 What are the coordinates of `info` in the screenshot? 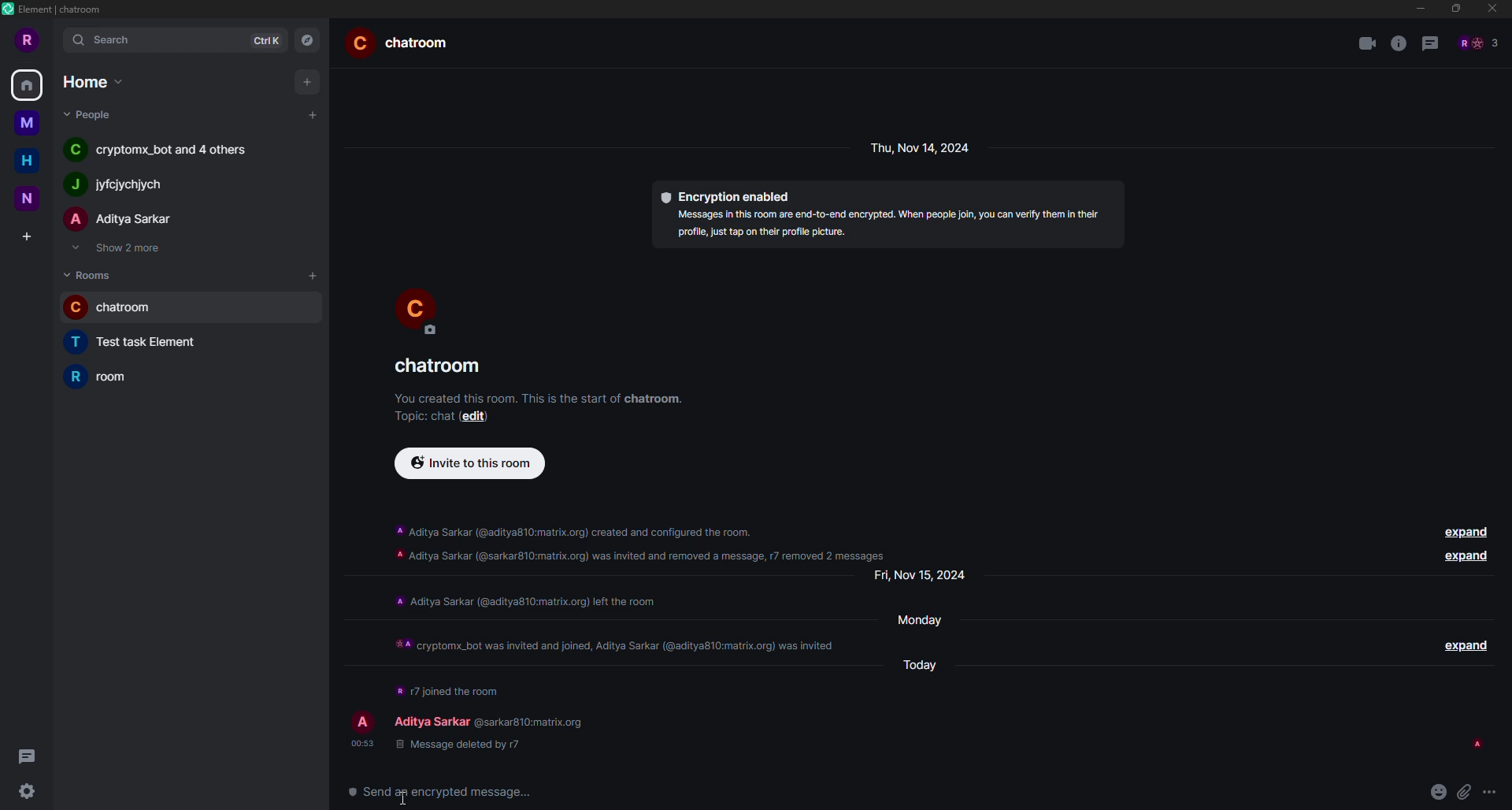 It's located at (539, 396).